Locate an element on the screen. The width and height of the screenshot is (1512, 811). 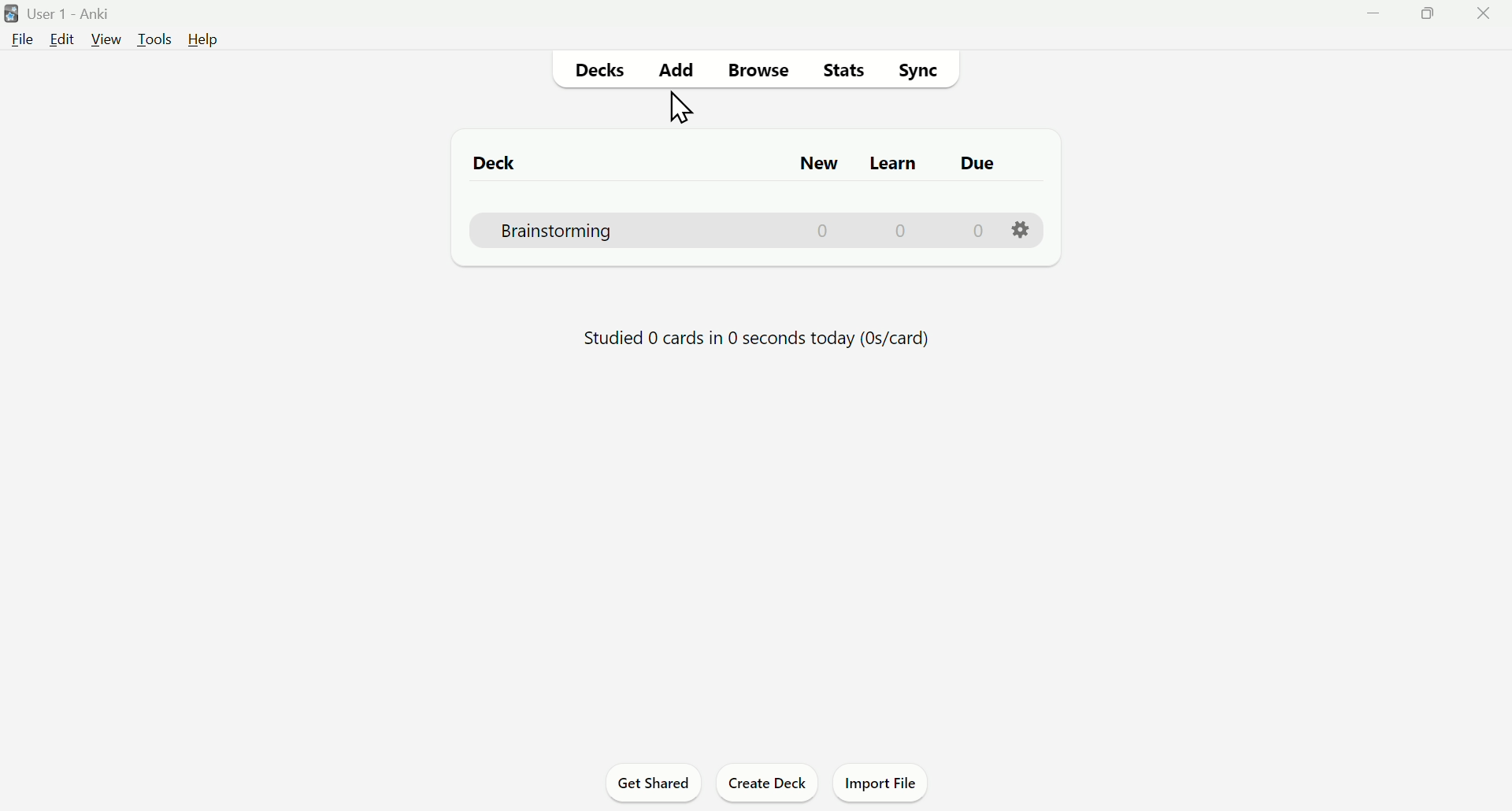
Stats is located at coordinates (846, 68).